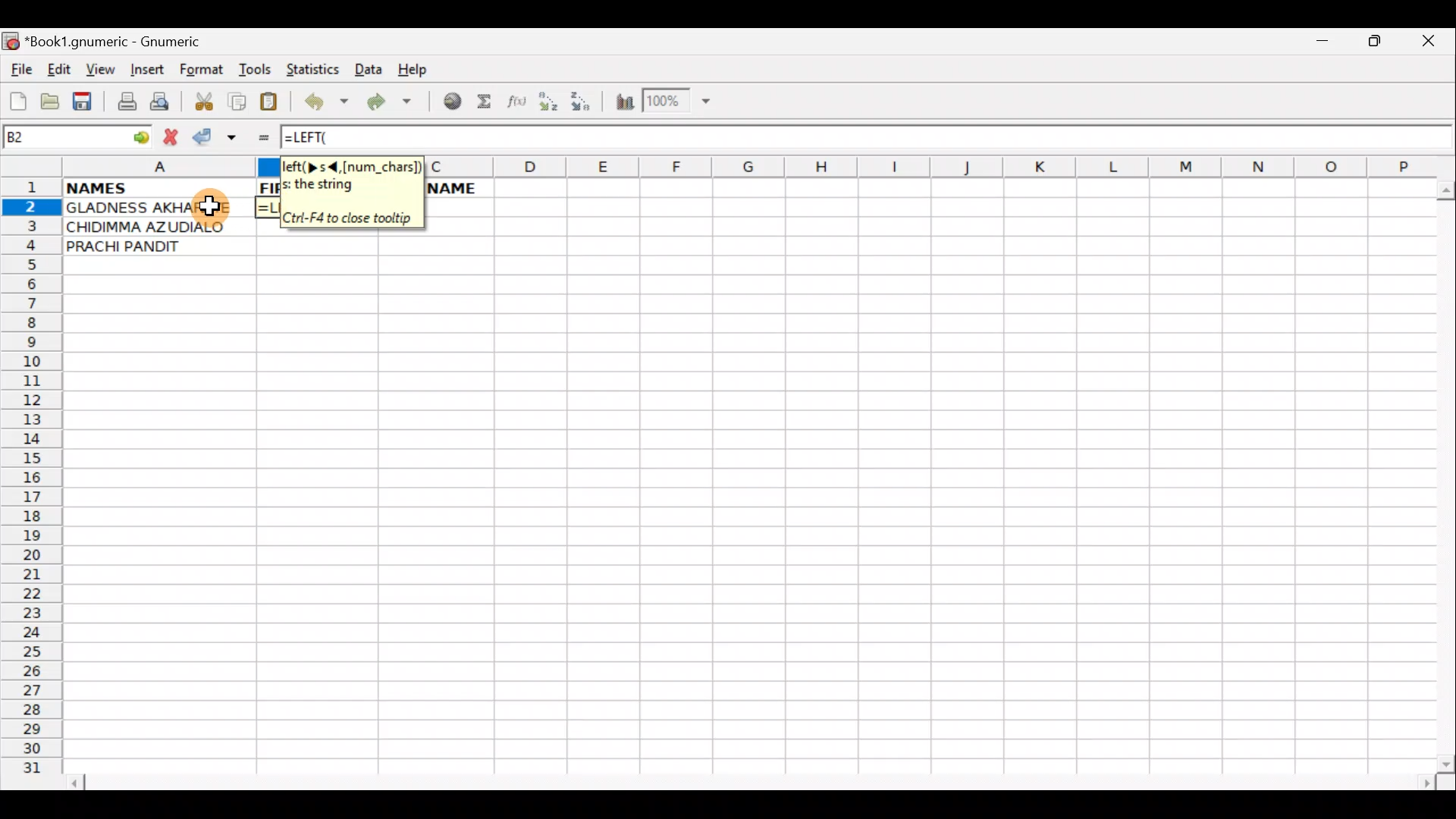  I want to click on left(>s<, (num,chars) the string. Ctri-F4 to close tooltip., so click(350, 190).